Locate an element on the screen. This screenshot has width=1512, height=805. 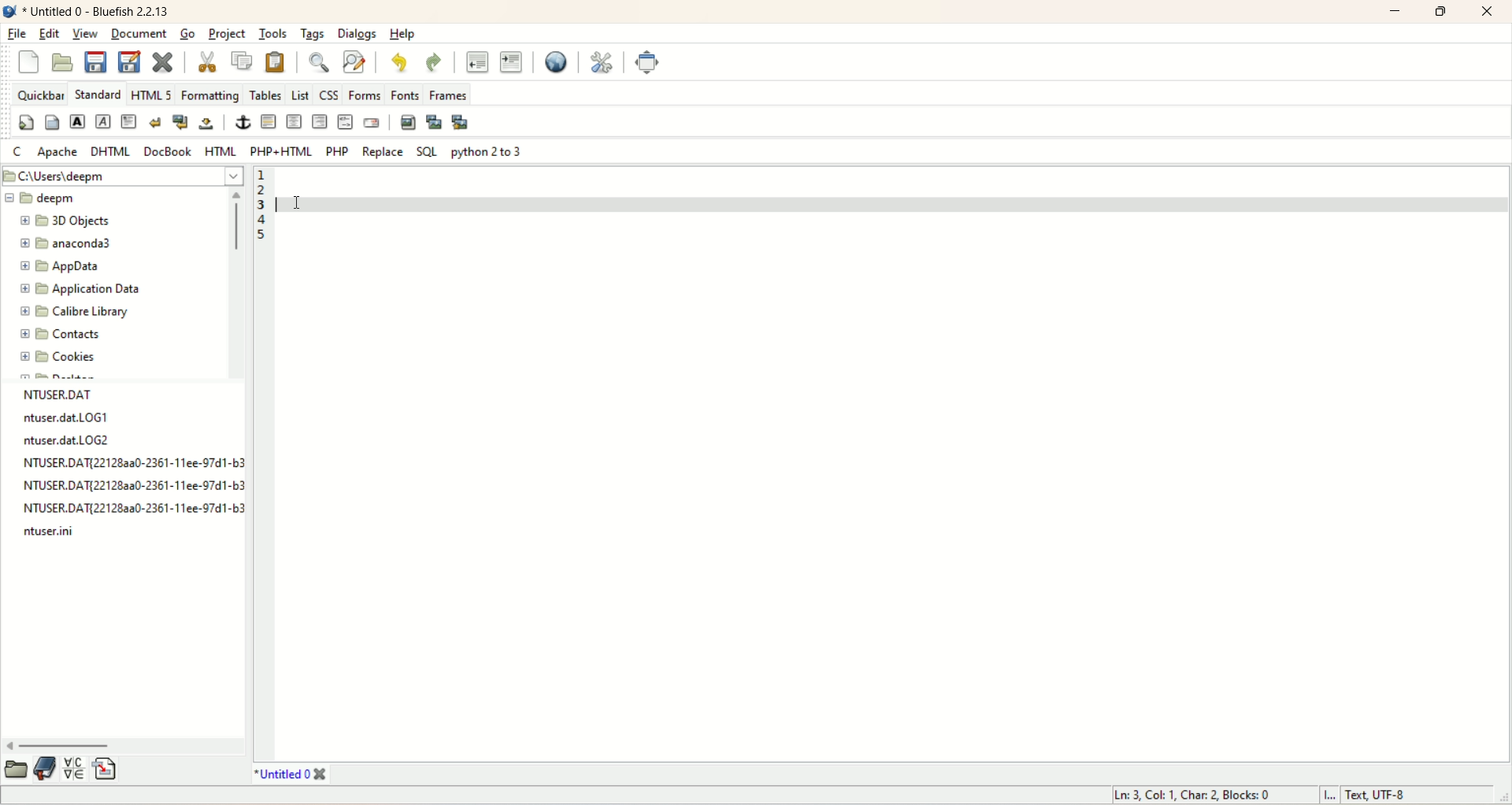
go is located at coordinates (187, 35).